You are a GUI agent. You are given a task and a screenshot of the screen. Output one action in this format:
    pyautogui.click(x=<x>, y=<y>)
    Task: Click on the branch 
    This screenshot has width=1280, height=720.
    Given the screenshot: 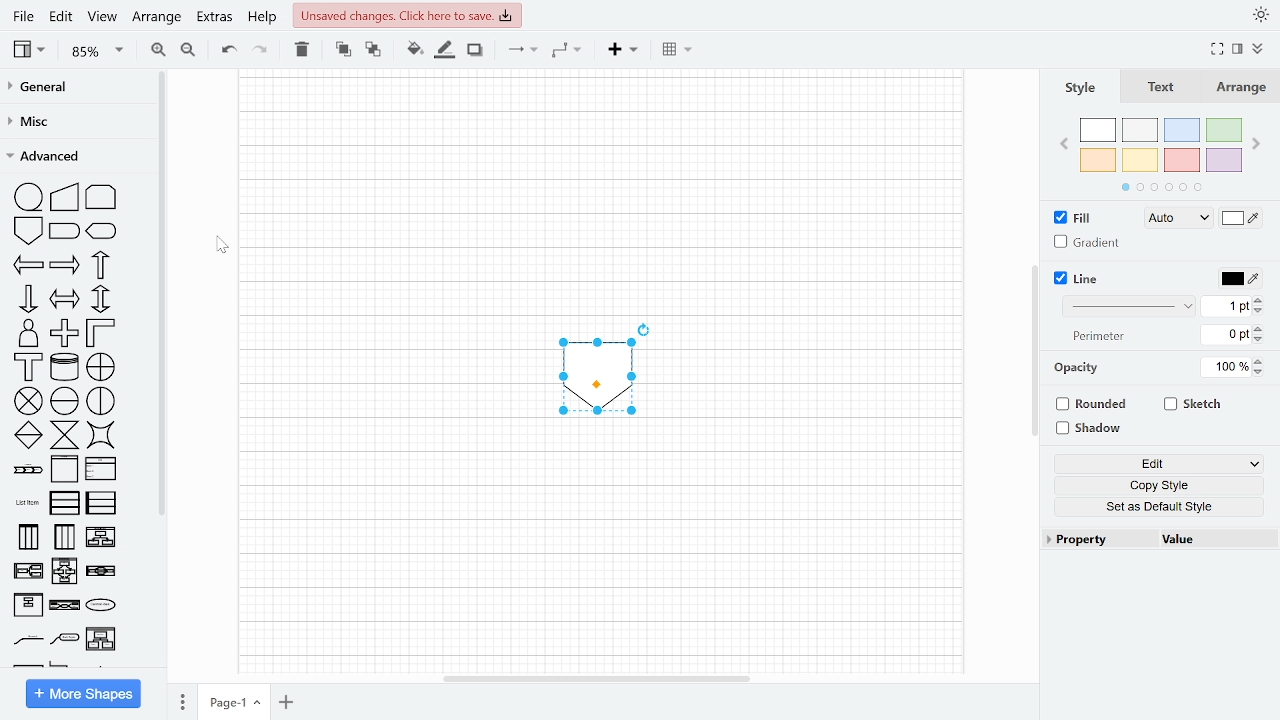 What is the action you would take?
    pyautogui.click(x=102, y=606)
    